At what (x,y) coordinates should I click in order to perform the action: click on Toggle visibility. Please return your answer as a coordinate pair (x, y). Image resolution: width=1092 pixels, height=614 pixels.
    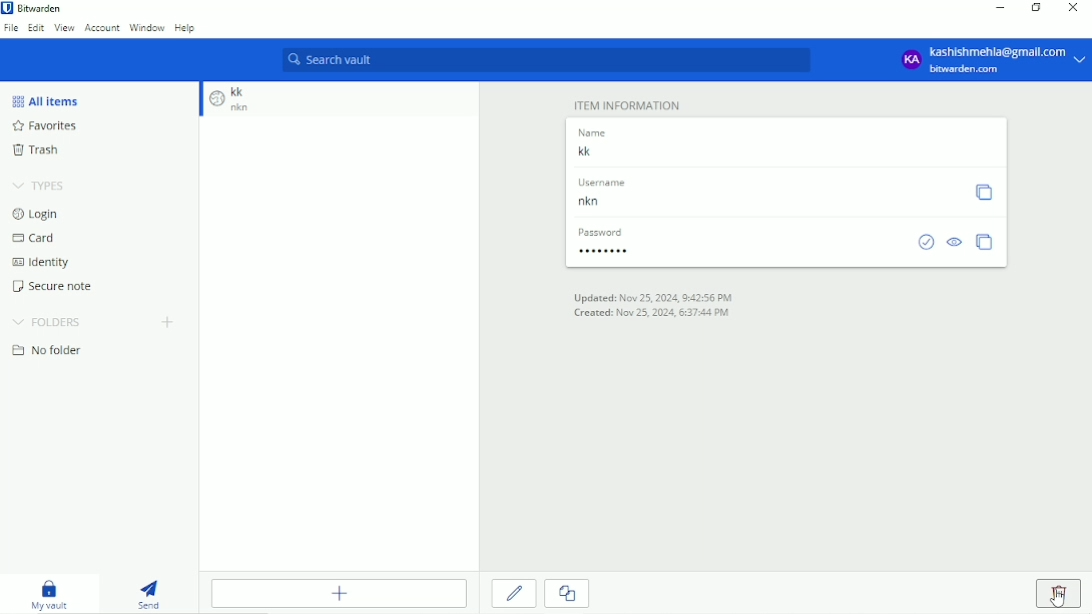
    Looking at the image, I should click on (956, 242).